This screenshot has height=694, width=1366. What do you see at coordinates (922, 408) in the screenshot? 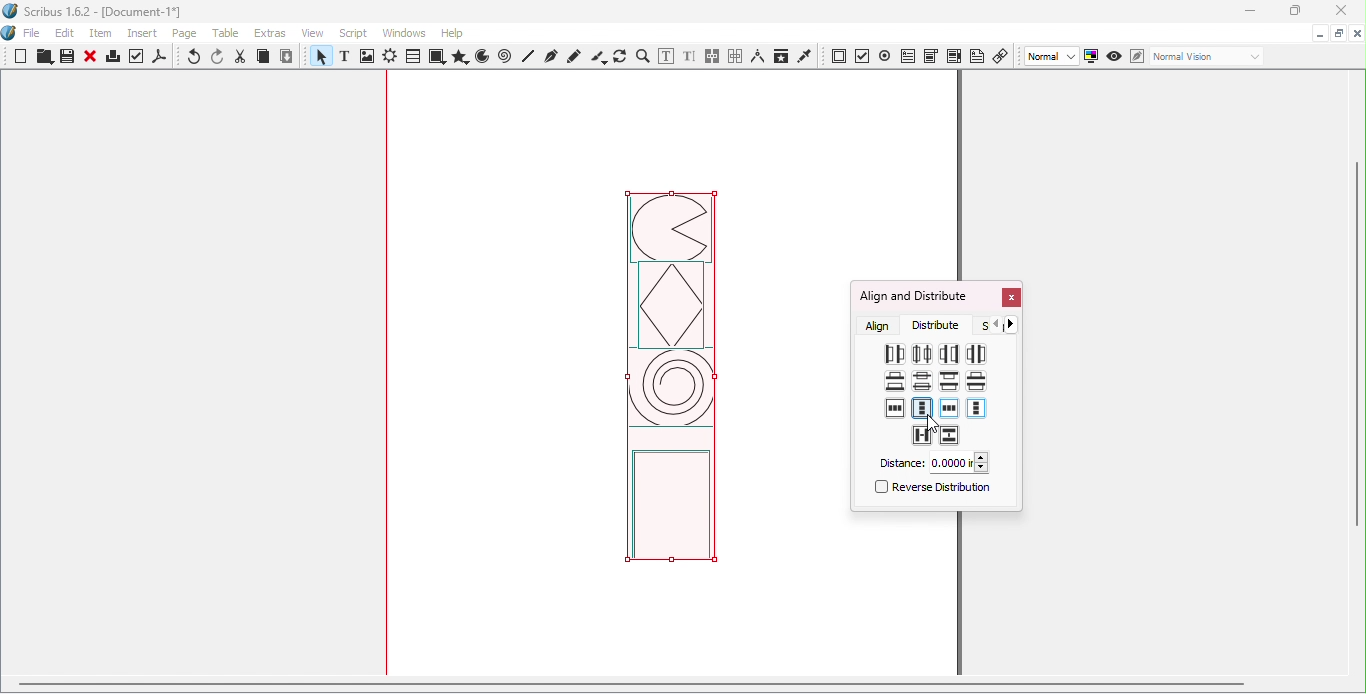
I see `Make vertical gaps between items and the top and bottom of the page equal` at bounding box center [922, 408].